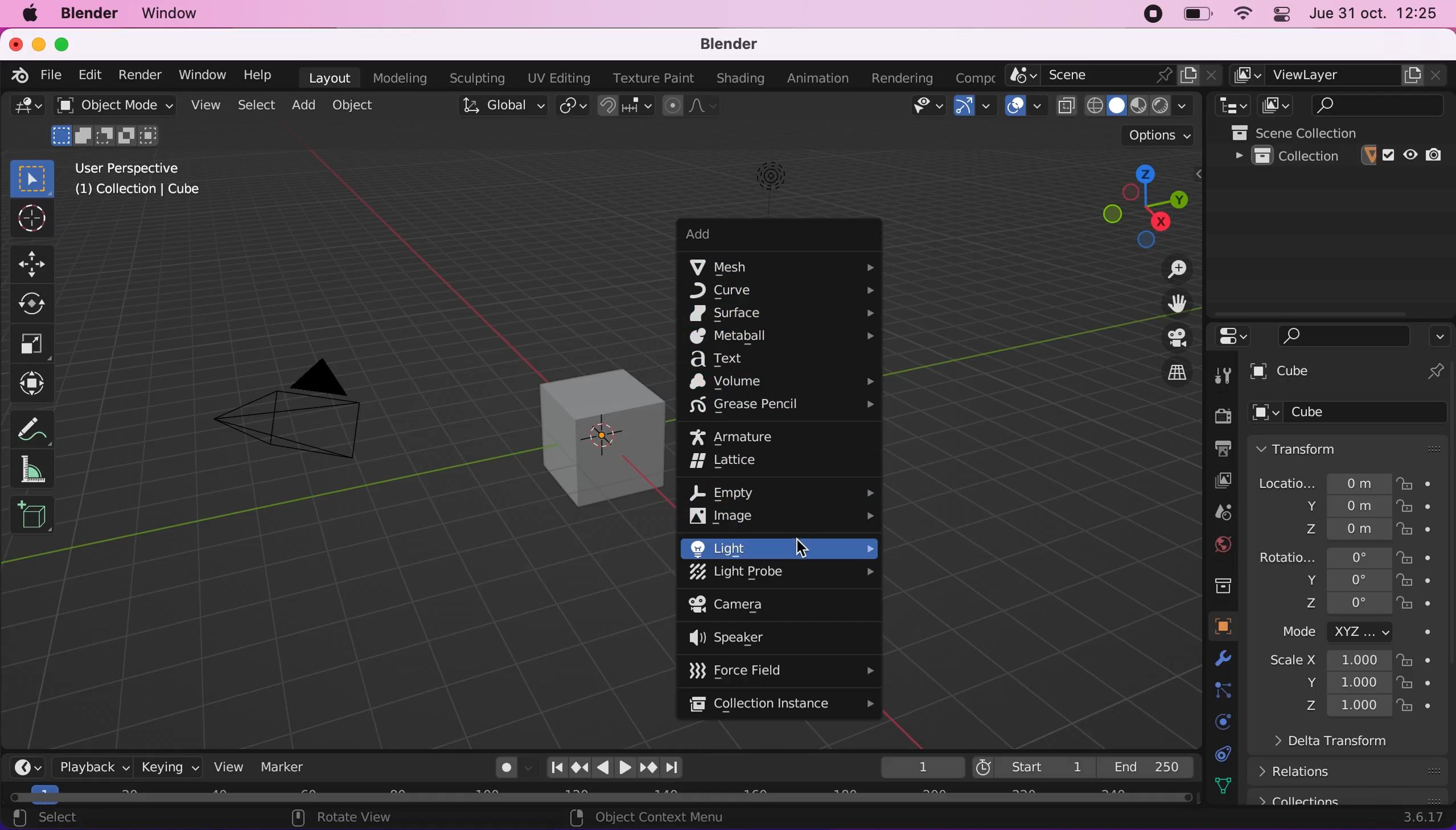  What do you see at coordinates (67, 819) in the screenshot?
I see `select` at bounding box center [67, 819].